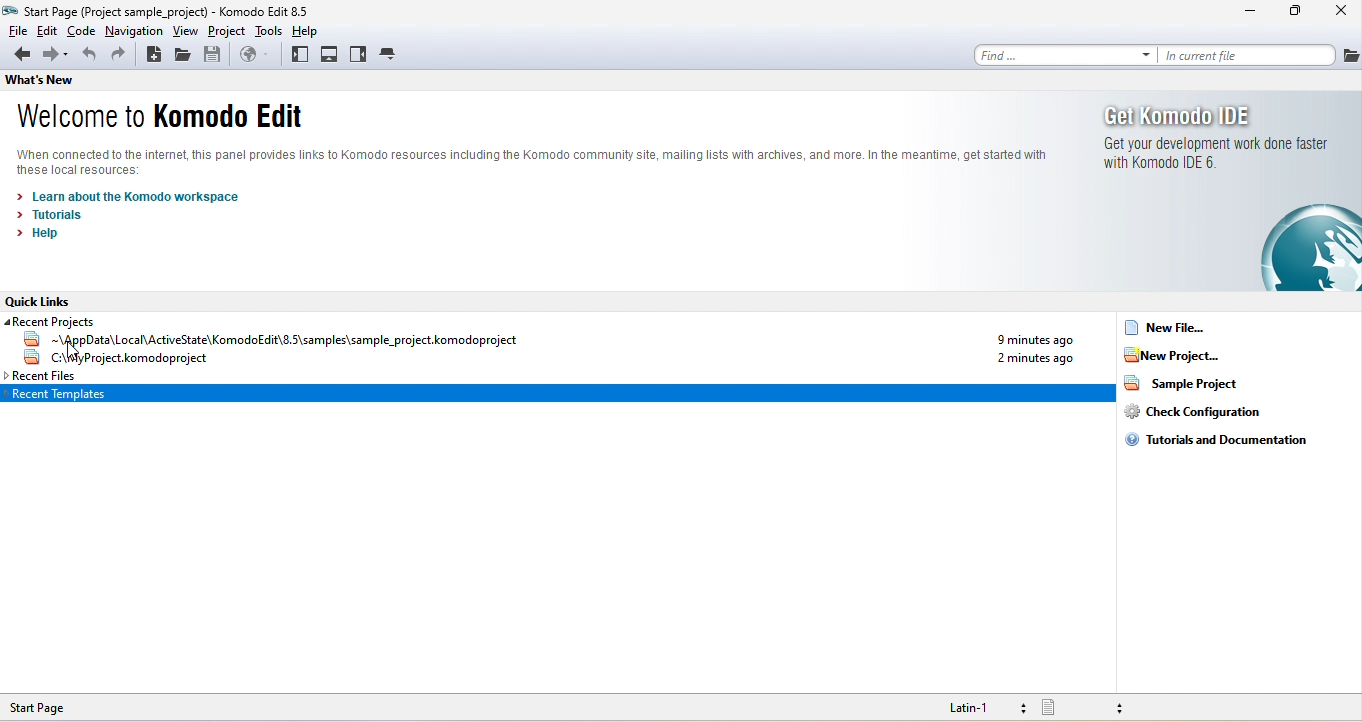  What do you see at coordinates (94, 376) in the screenshot?
I see `recent file` at bounding box center [94, 376].